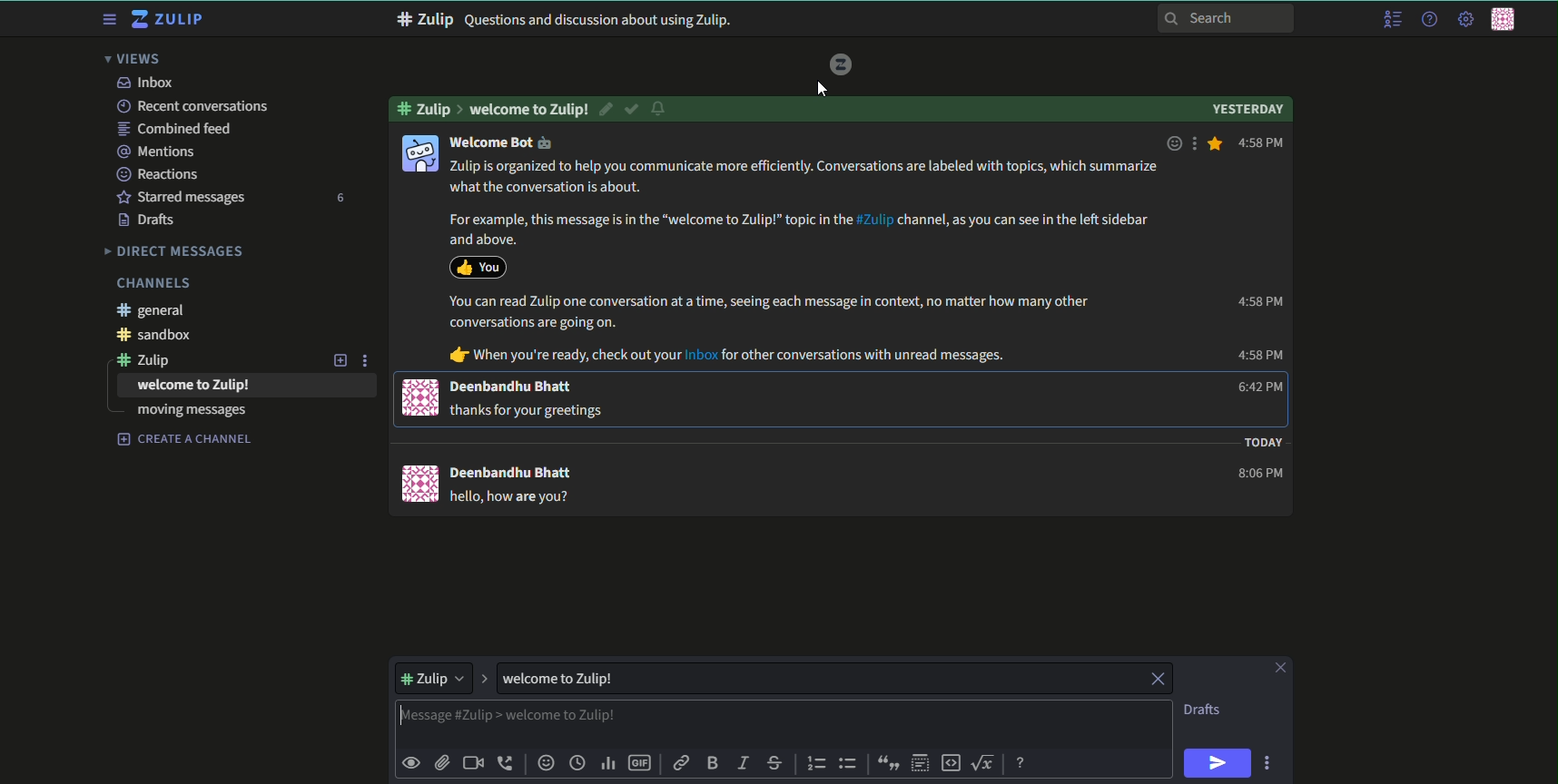 The height and width of the screenshot is (784, 1558). I want to click on search bar, so click(1227, 17).